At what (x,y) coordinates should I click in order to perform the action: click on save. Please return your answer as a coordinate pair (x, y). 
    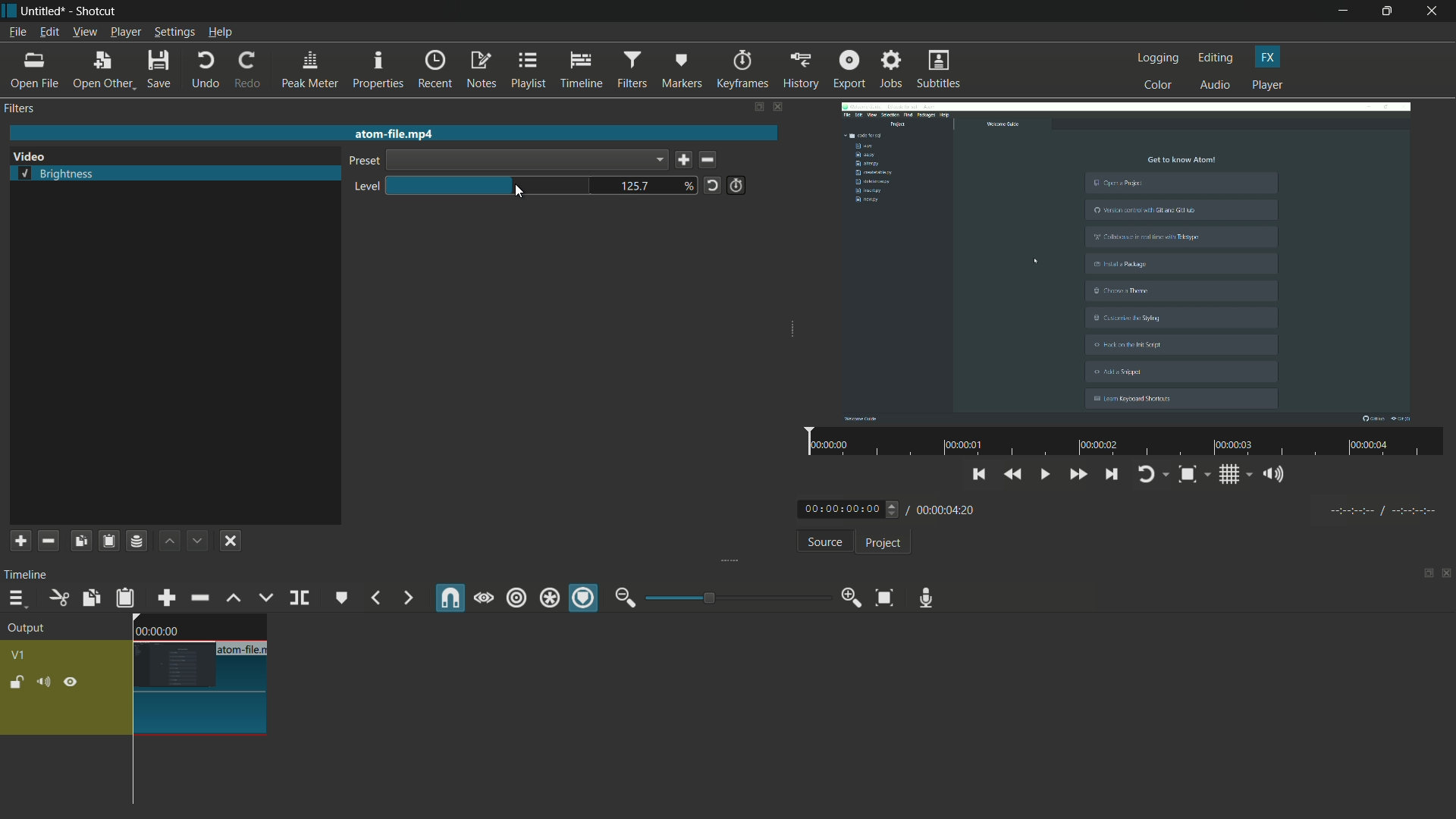
    Looking at the image, I should click on (161, 71).